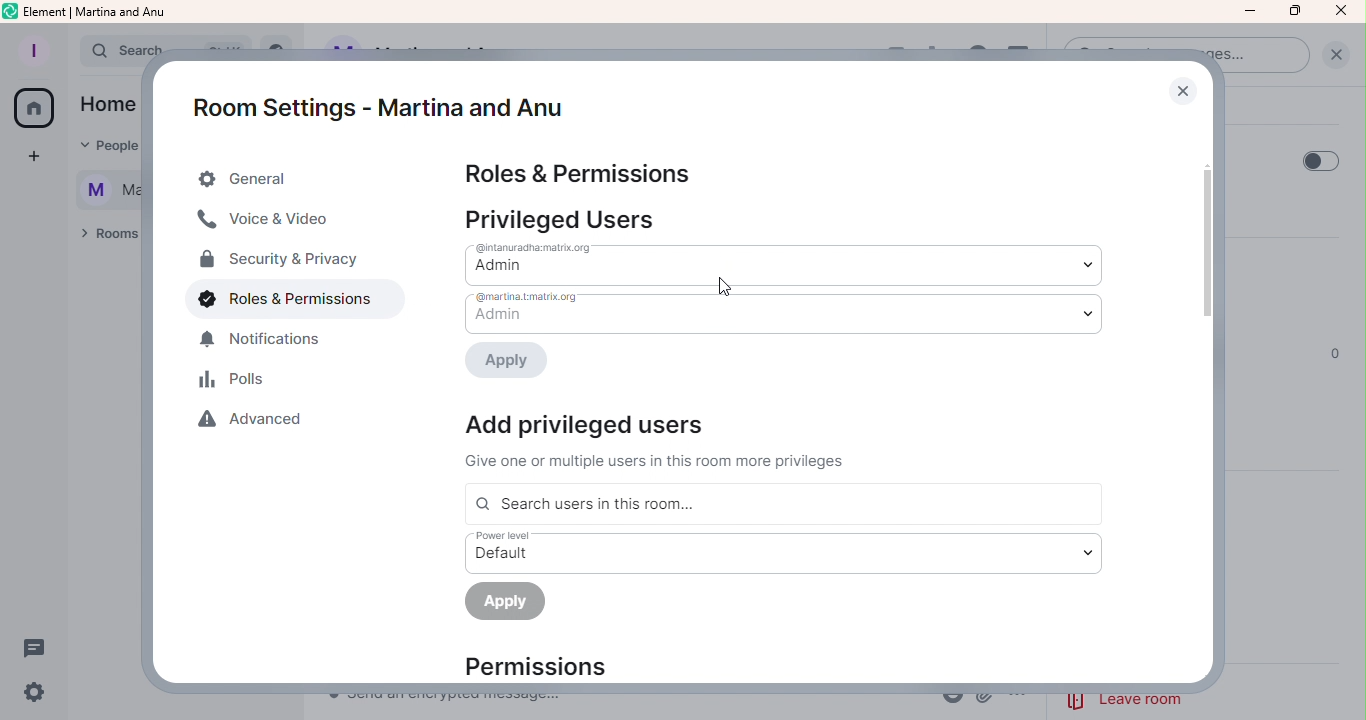 This screenshot has height=720, width=1366. What do you see at coordinates (527, 364) in the screenshot?
I see `Apply` at bounding box center [527, 364].